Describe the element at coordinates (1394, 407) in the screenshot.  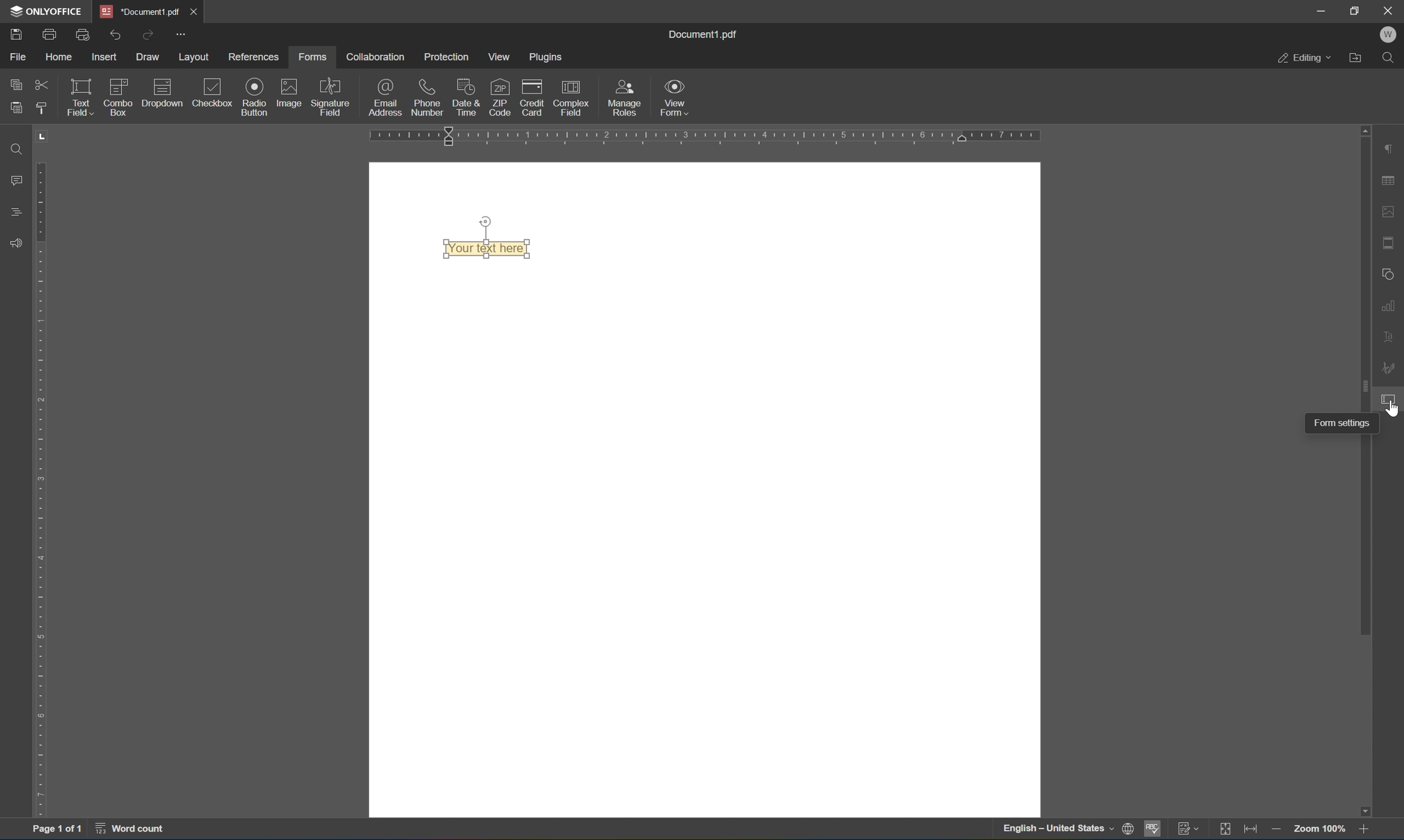
I see `cursor` at that location.